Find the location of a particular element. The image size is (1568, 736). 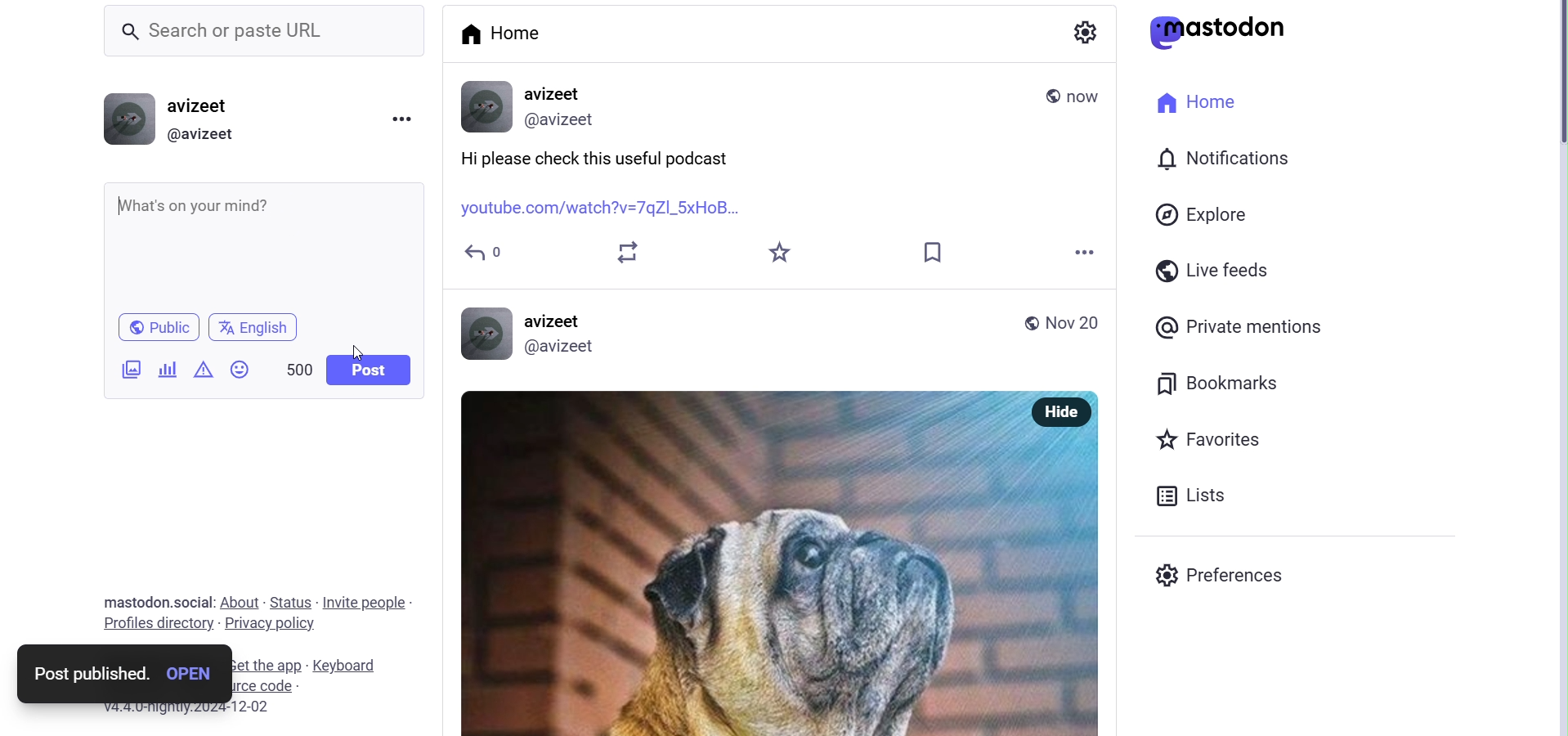

live feeds is located at coordinates (1207, 268).